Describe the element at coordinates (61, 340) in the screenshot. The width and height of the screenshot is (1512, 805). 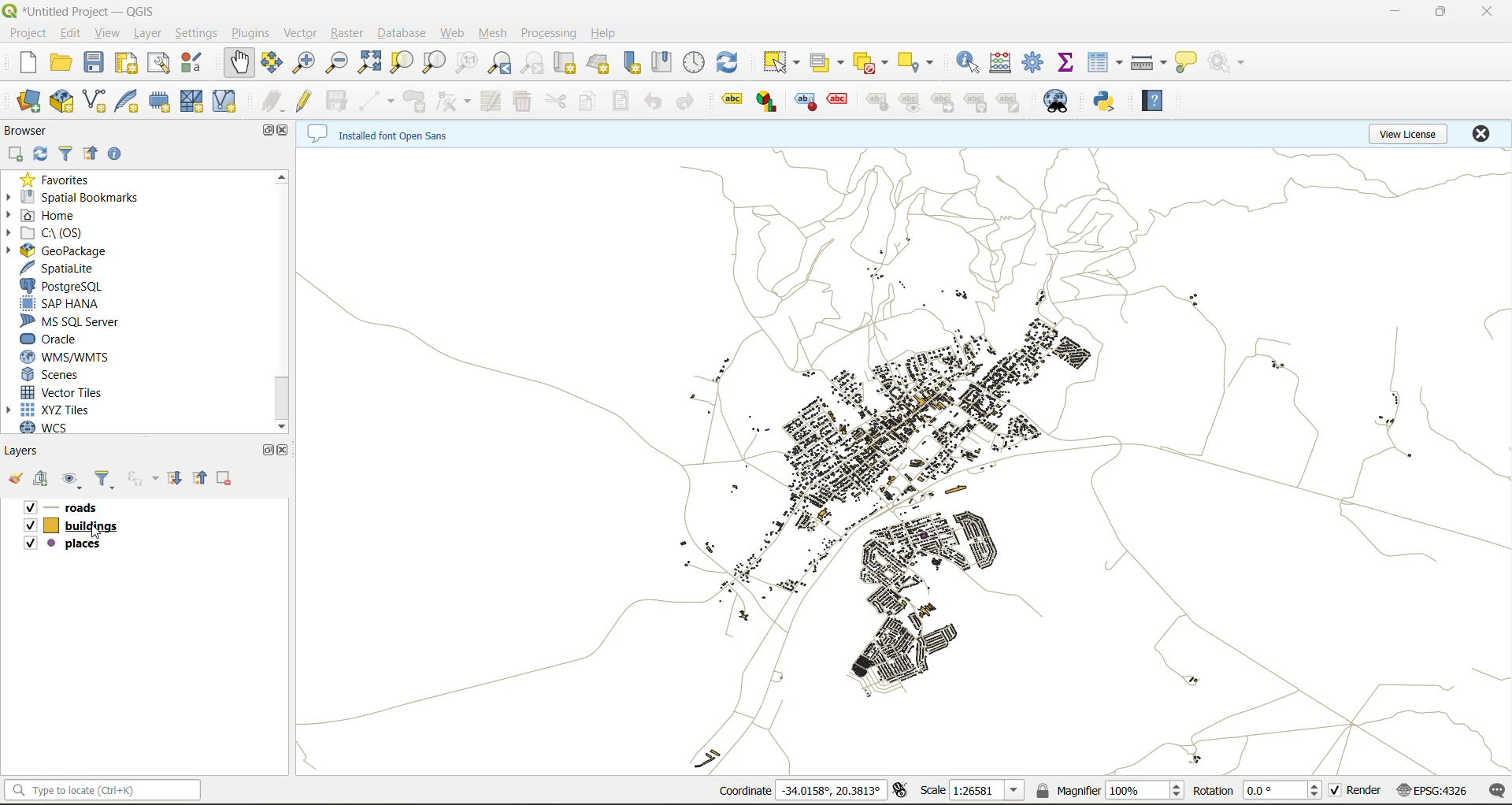
I see `oracle` at that location.